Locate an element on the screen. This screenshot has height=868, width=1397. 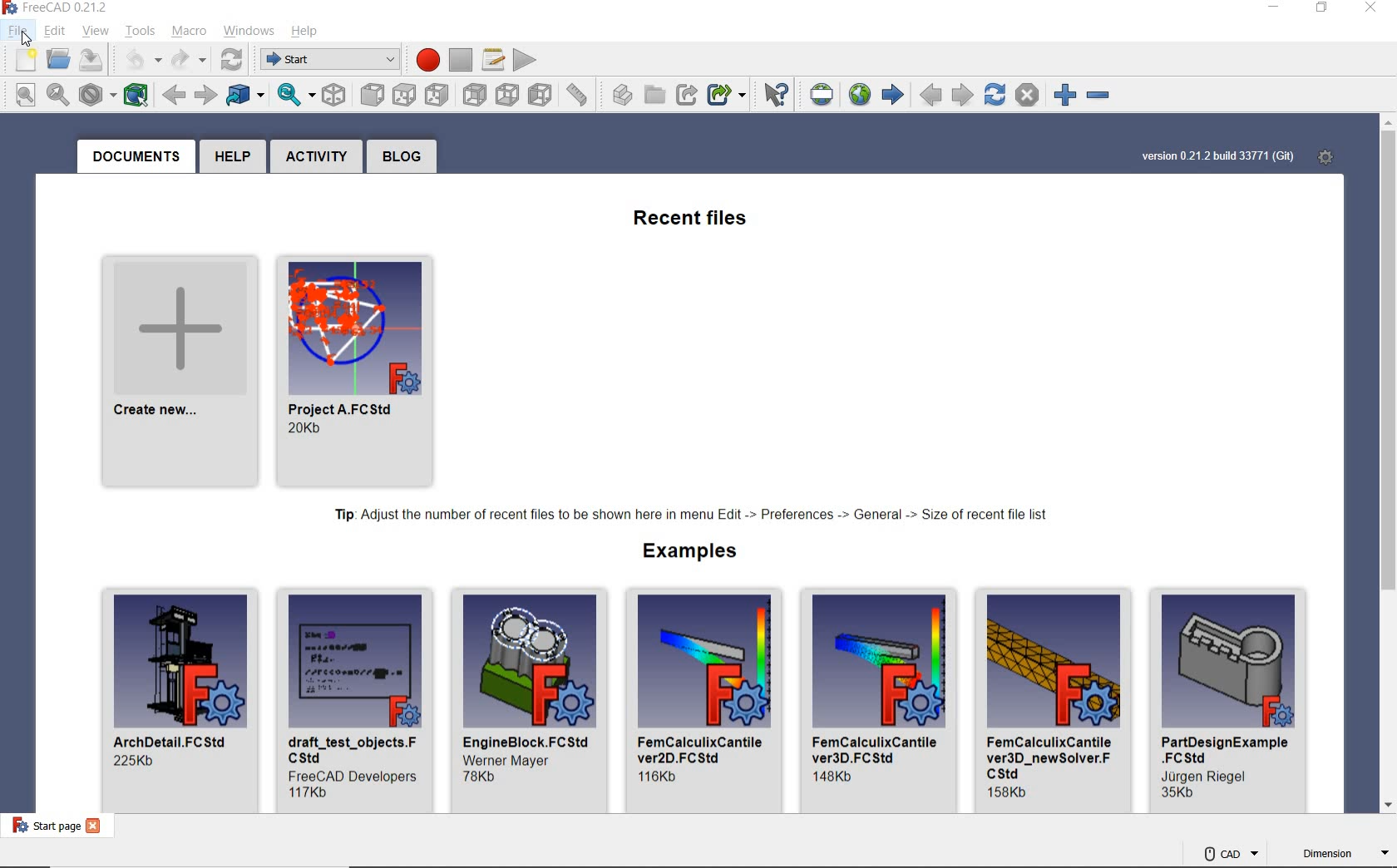
EXECUTE MACRO is located at coordinates (525, 59).